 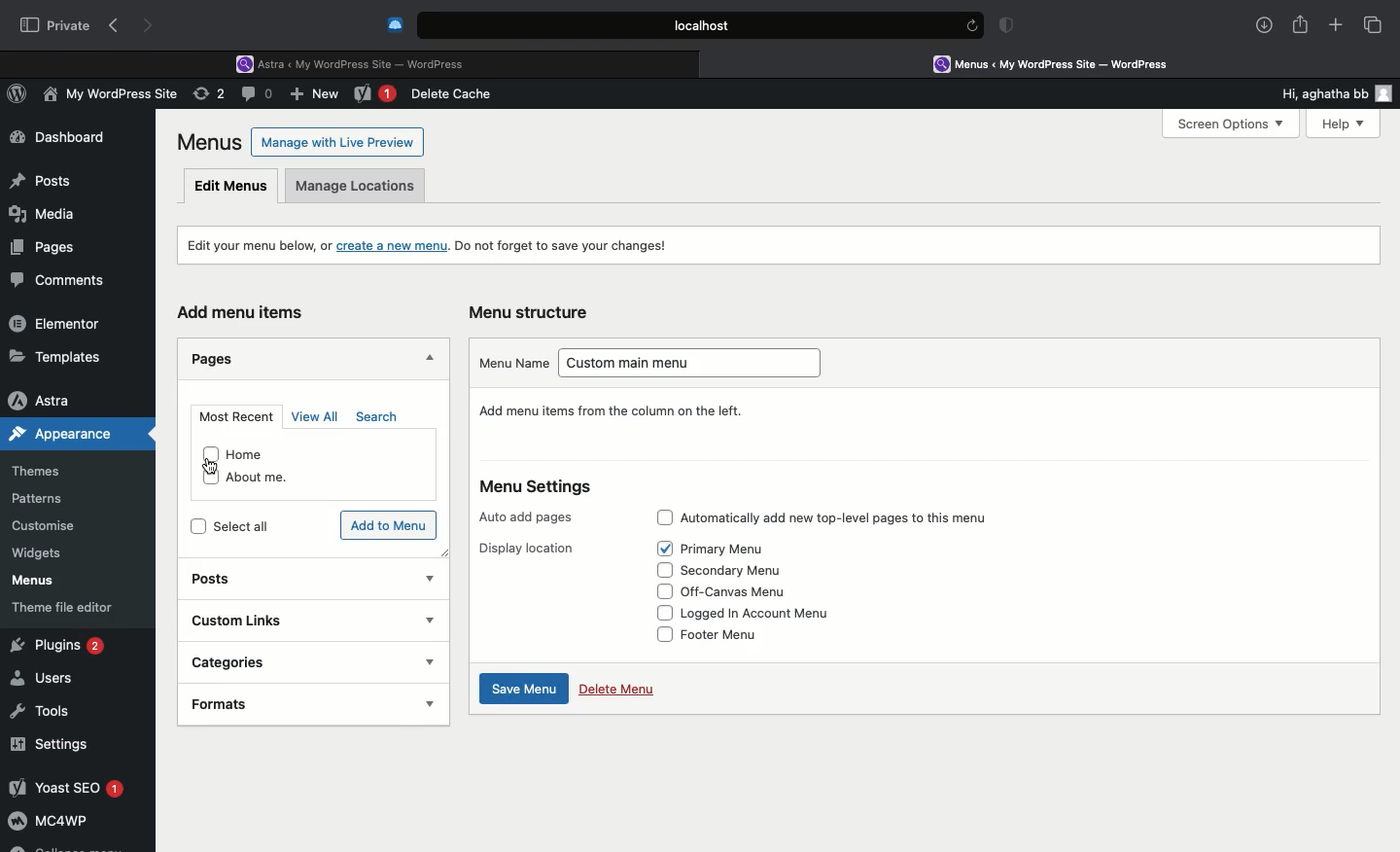 I want to click on Templates, so click(x=56, y=356).